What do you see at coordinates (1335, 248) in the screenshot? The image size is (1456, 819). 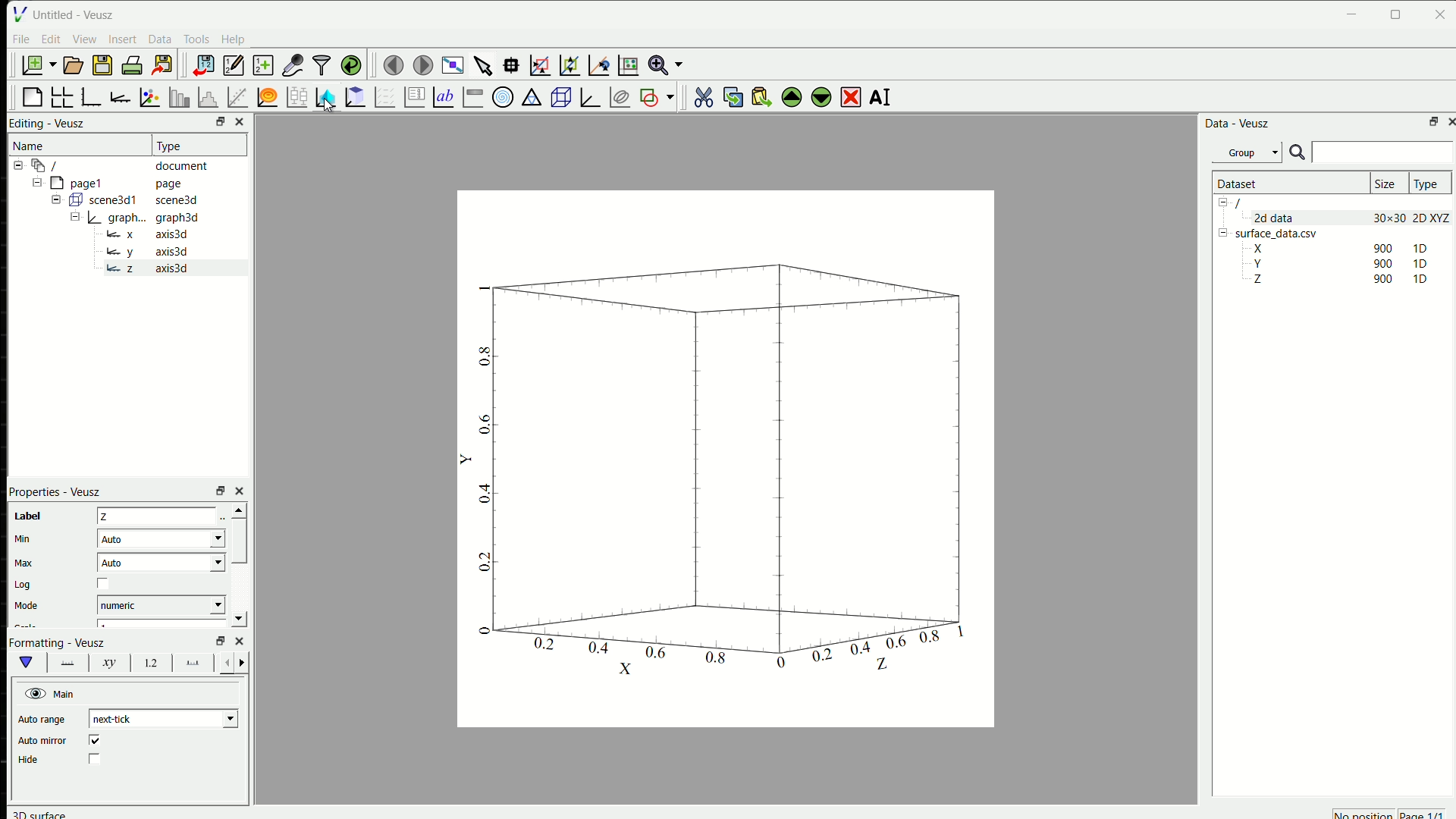 I see `X 900 1D` at bounding box center [1335, 248].